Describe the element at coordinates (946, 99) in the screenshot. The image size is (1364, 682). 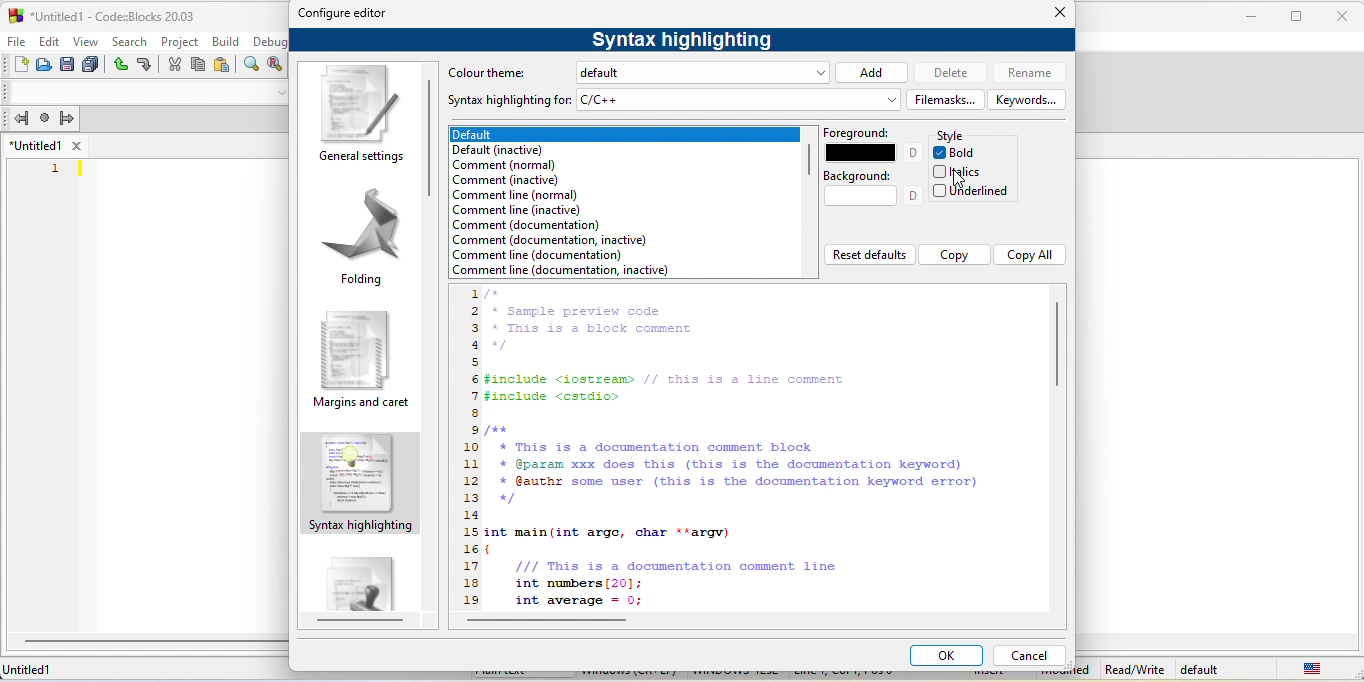
I see `file masks` at that location.